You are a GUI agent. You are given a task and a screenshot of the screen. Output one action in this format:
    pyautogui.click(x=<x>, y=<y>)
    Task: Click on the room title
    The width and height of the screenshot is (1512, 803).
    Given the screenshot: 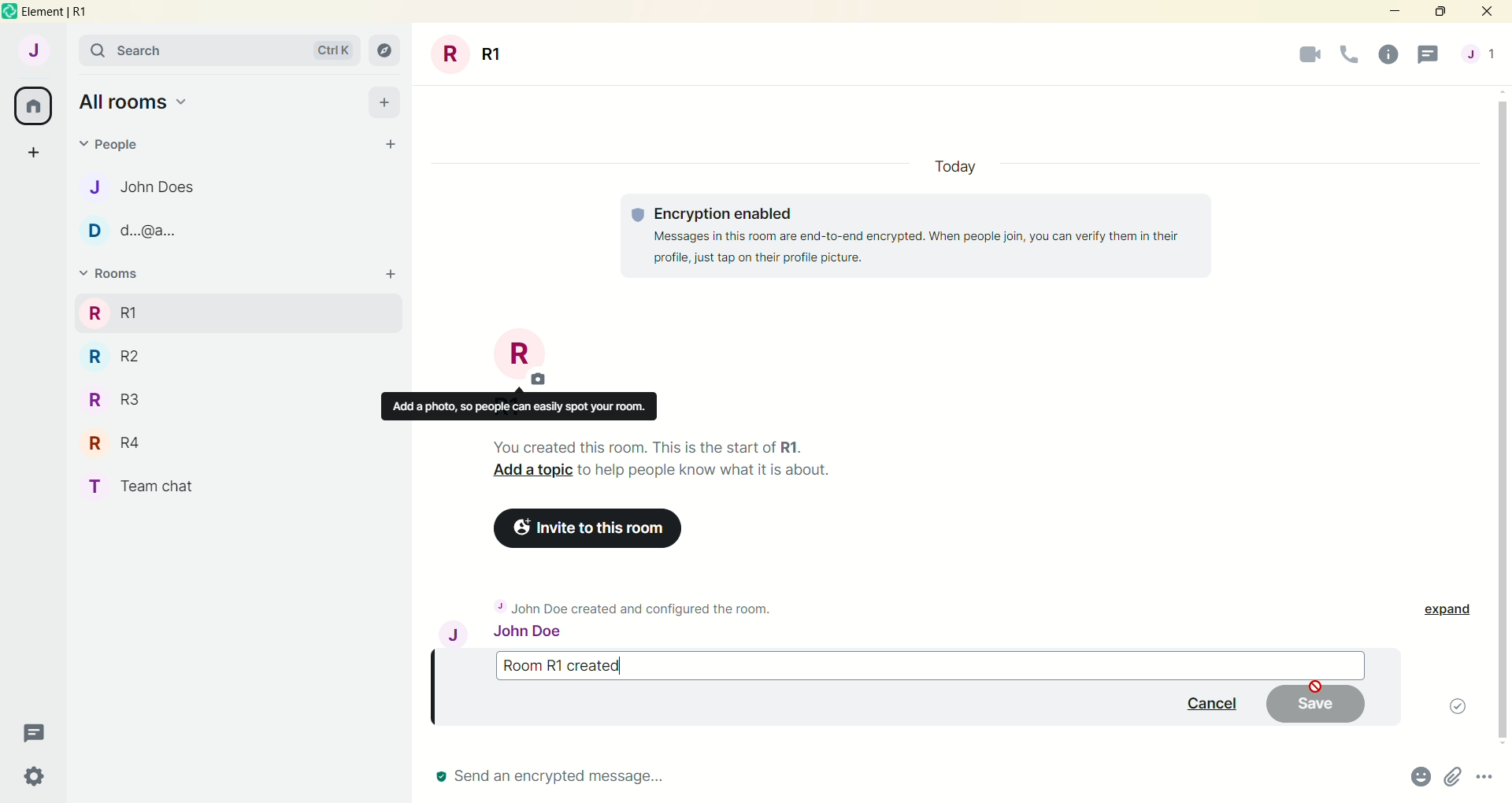 What is the action you would take?
    pyautogui.click(x=522, y=357)
    